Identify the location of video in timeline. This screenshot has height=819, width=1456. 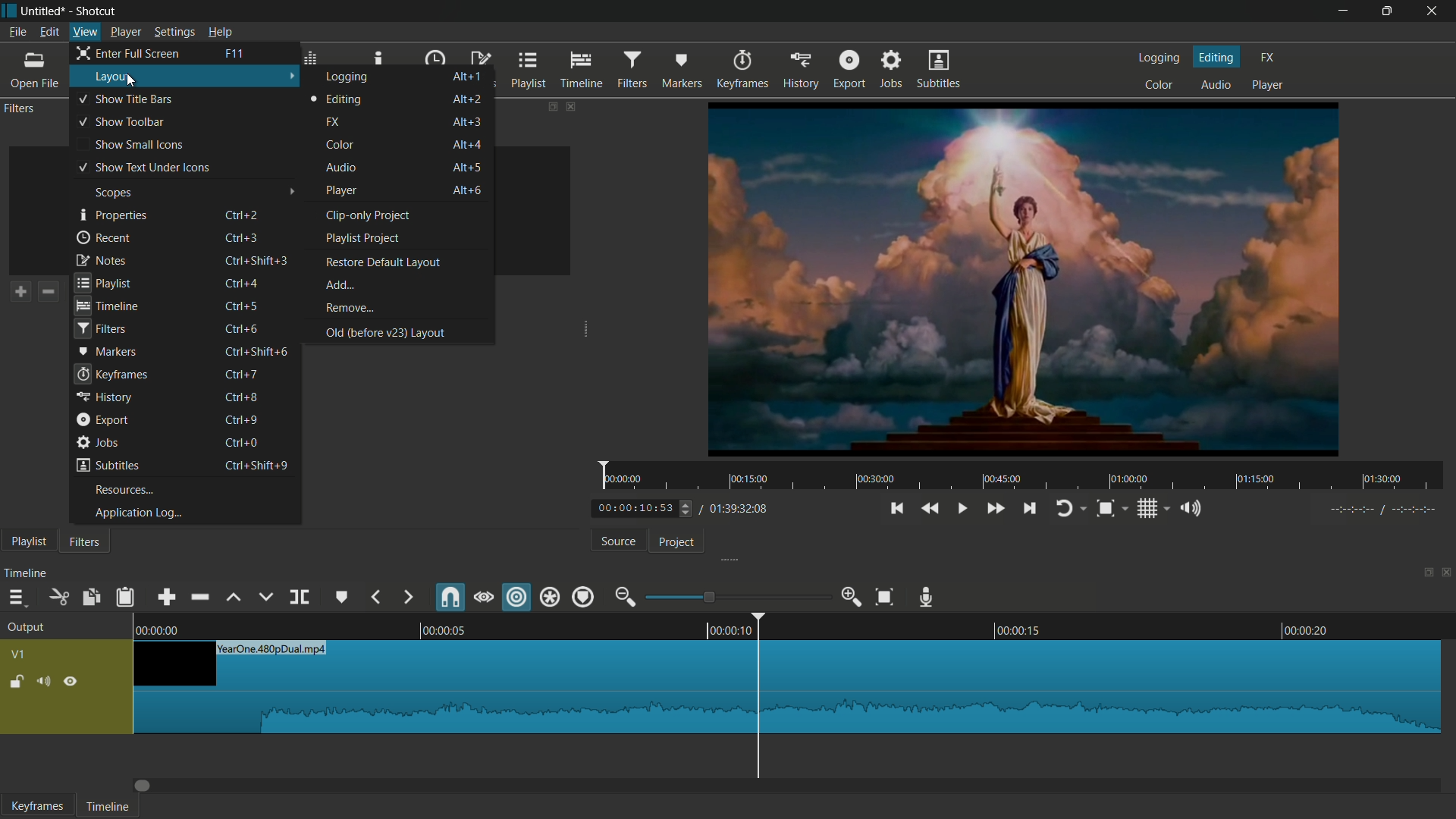
(787, 687).